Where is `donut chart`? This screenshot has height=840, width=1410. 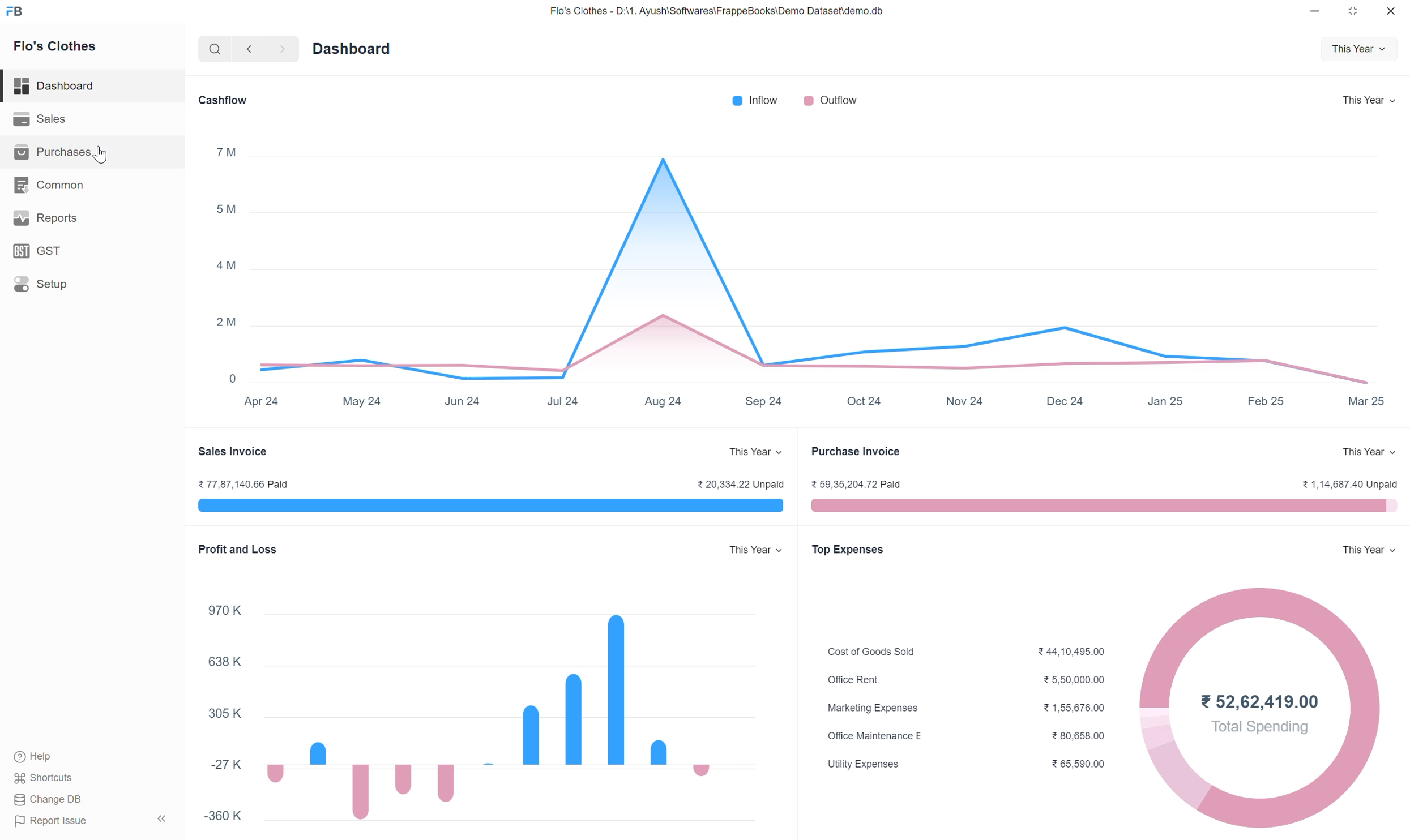 donut chart is located at coordinates (1262, 636).